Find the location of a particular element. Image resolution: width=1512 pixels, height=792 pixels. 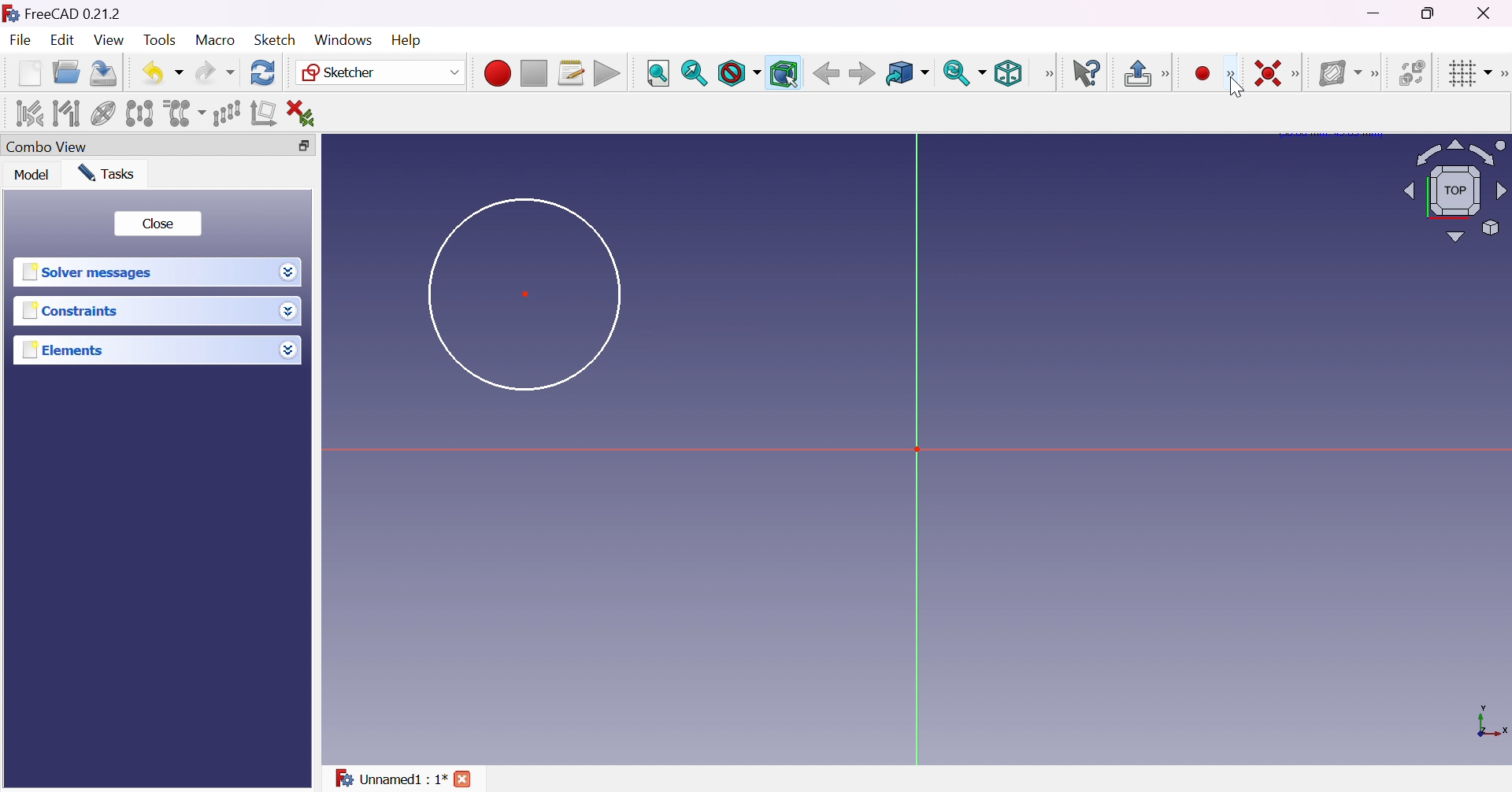

Restore down is located at coordinates (1430, 13).